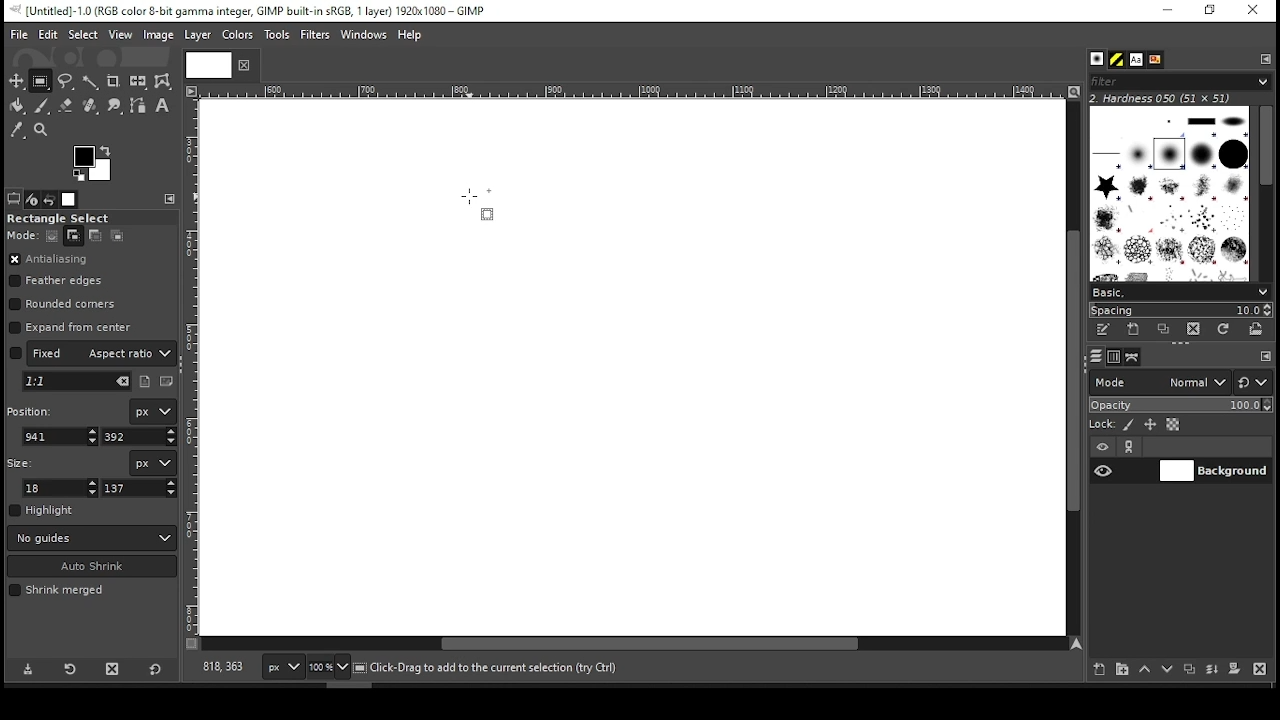  What do you see at coordinates (94, 236) in the screenshot?
I see `subtract from the current selection` at bounding box center [94, 236].